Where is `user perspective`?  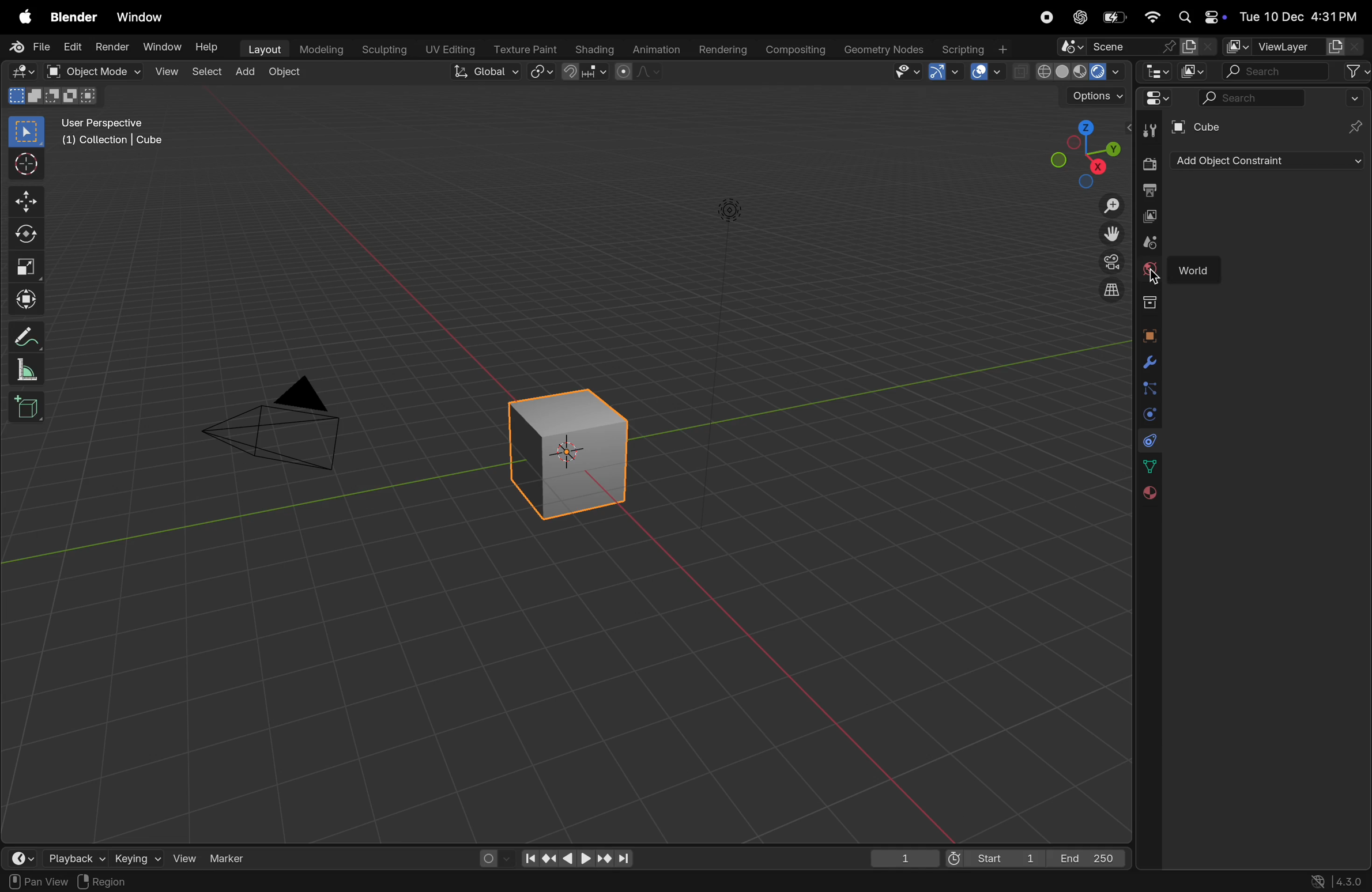 user perspective is located at coordinates (119, 134).